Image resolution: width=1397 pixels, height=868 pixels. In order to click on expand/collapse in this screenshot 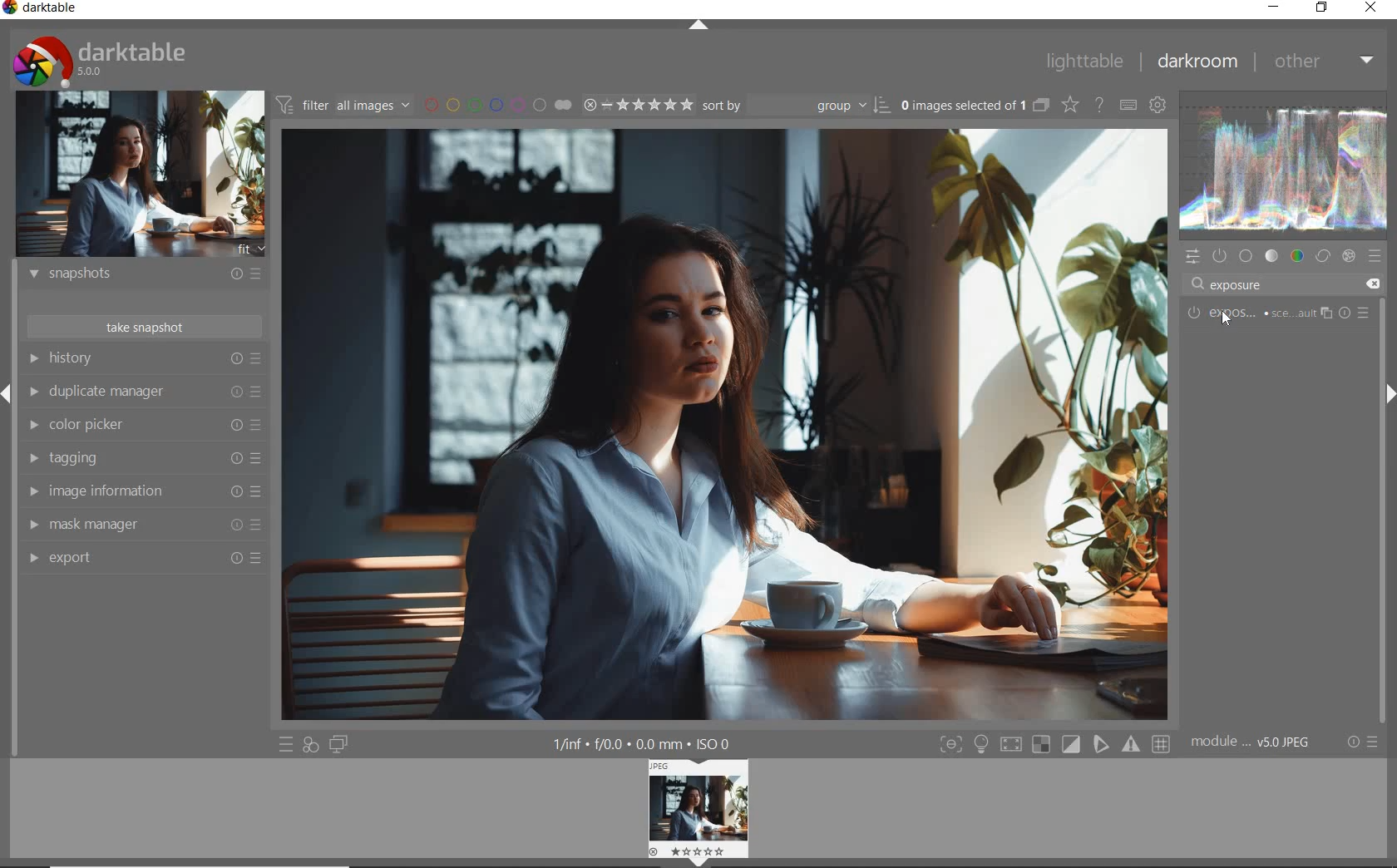, I will do `click(698, 24)`.